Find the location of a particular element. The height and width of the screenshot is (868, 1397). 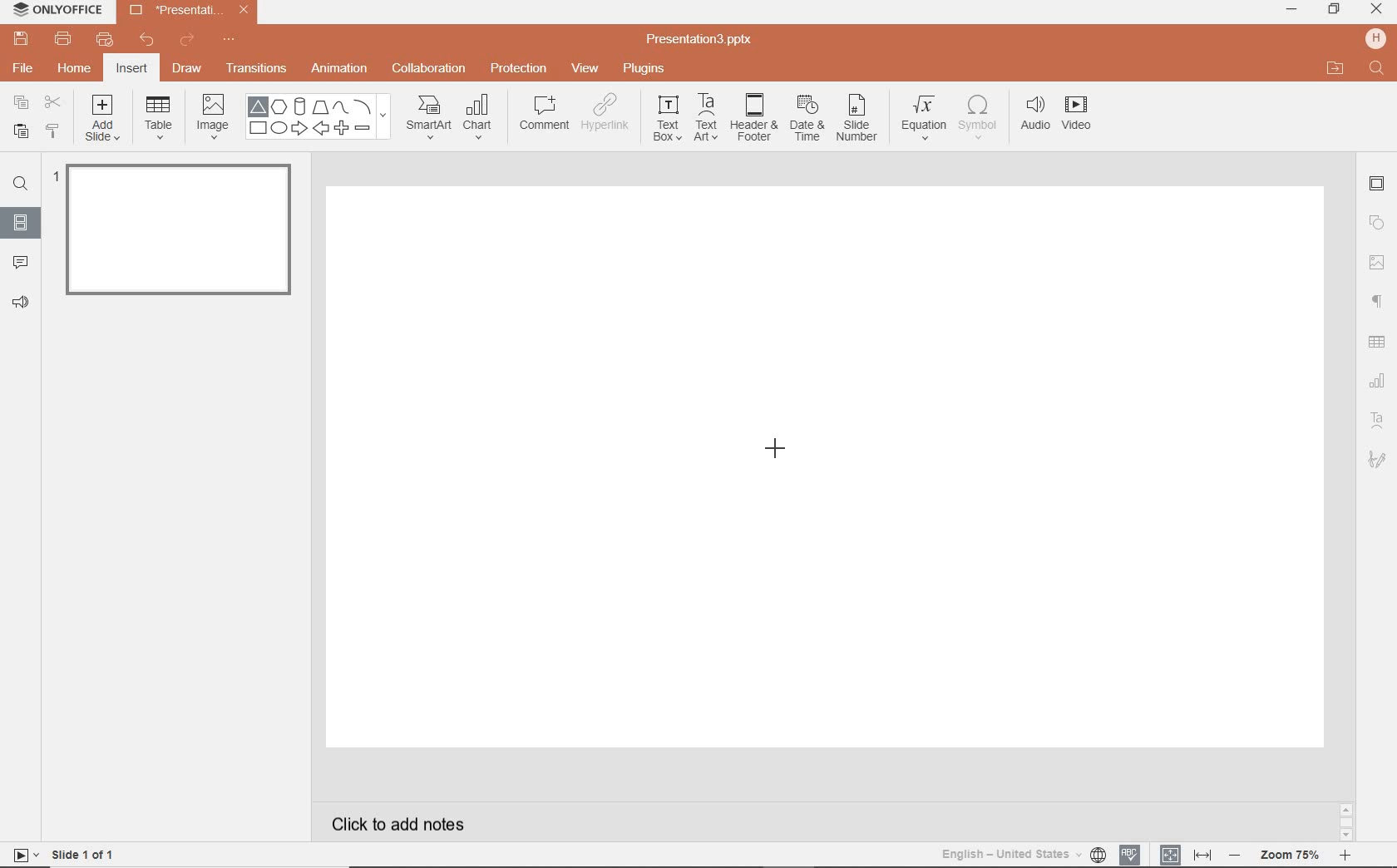

HP is located at coordinates (1377, 38).